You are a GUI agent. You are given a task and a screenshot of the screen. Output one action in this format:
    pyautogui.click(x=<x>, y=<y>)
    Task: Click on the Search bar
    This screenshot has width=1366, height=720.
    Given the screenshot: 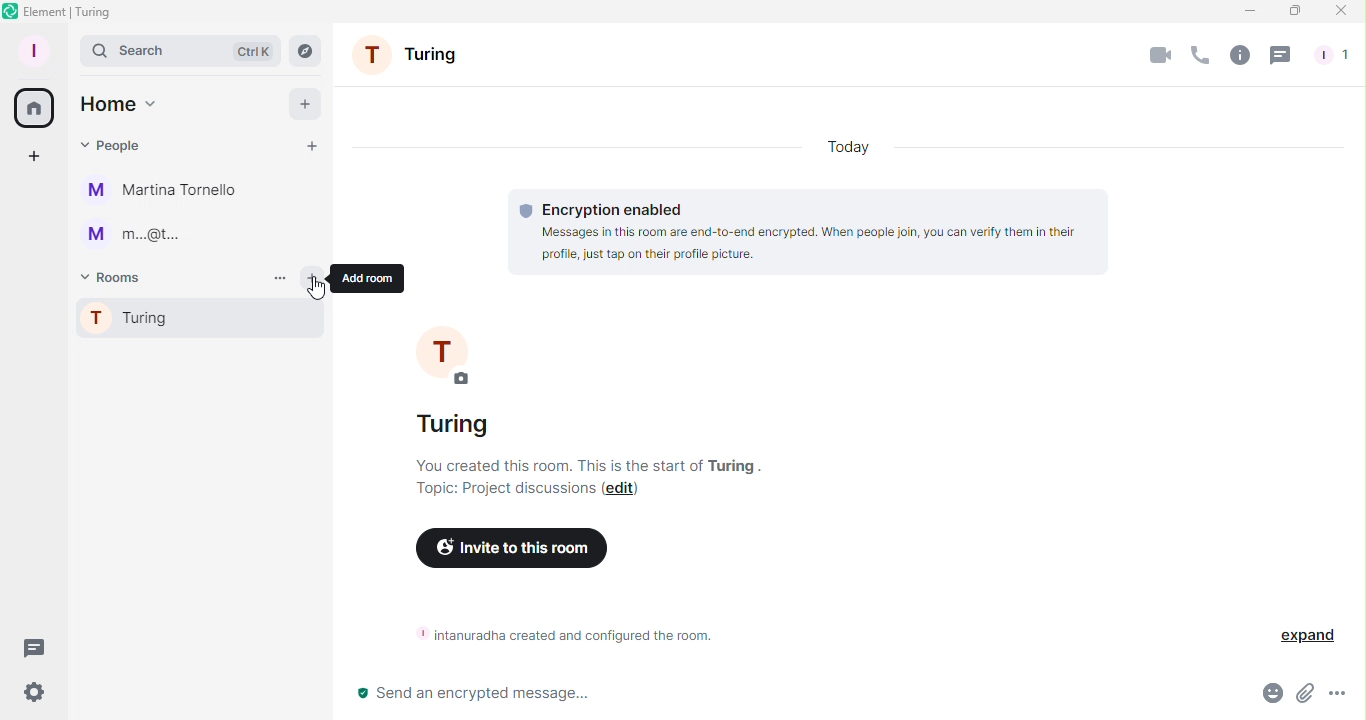 What is the action you would take?
    pyautogui.click(x=180, y=50)
    